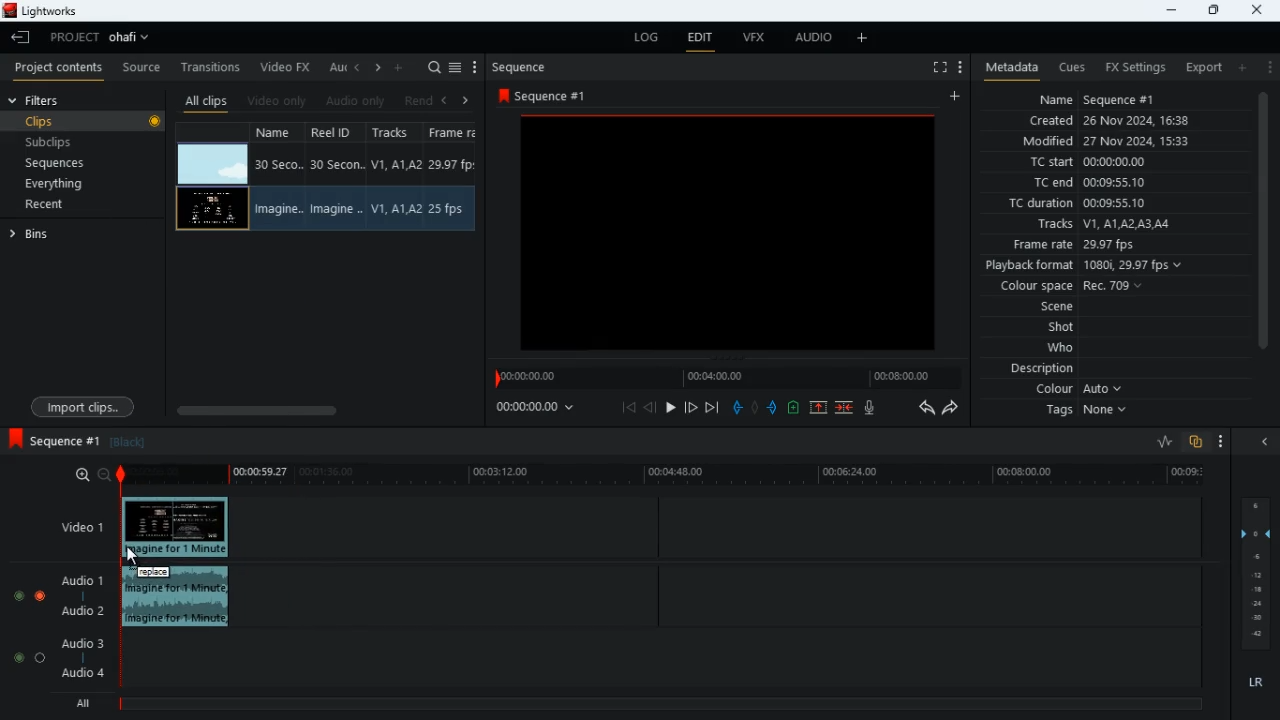 The height and width of the screenshot is (720, 1280). Describe the element at coordinates (140, 558) in the screenshot. I see `Mouse Cursor` at that location.